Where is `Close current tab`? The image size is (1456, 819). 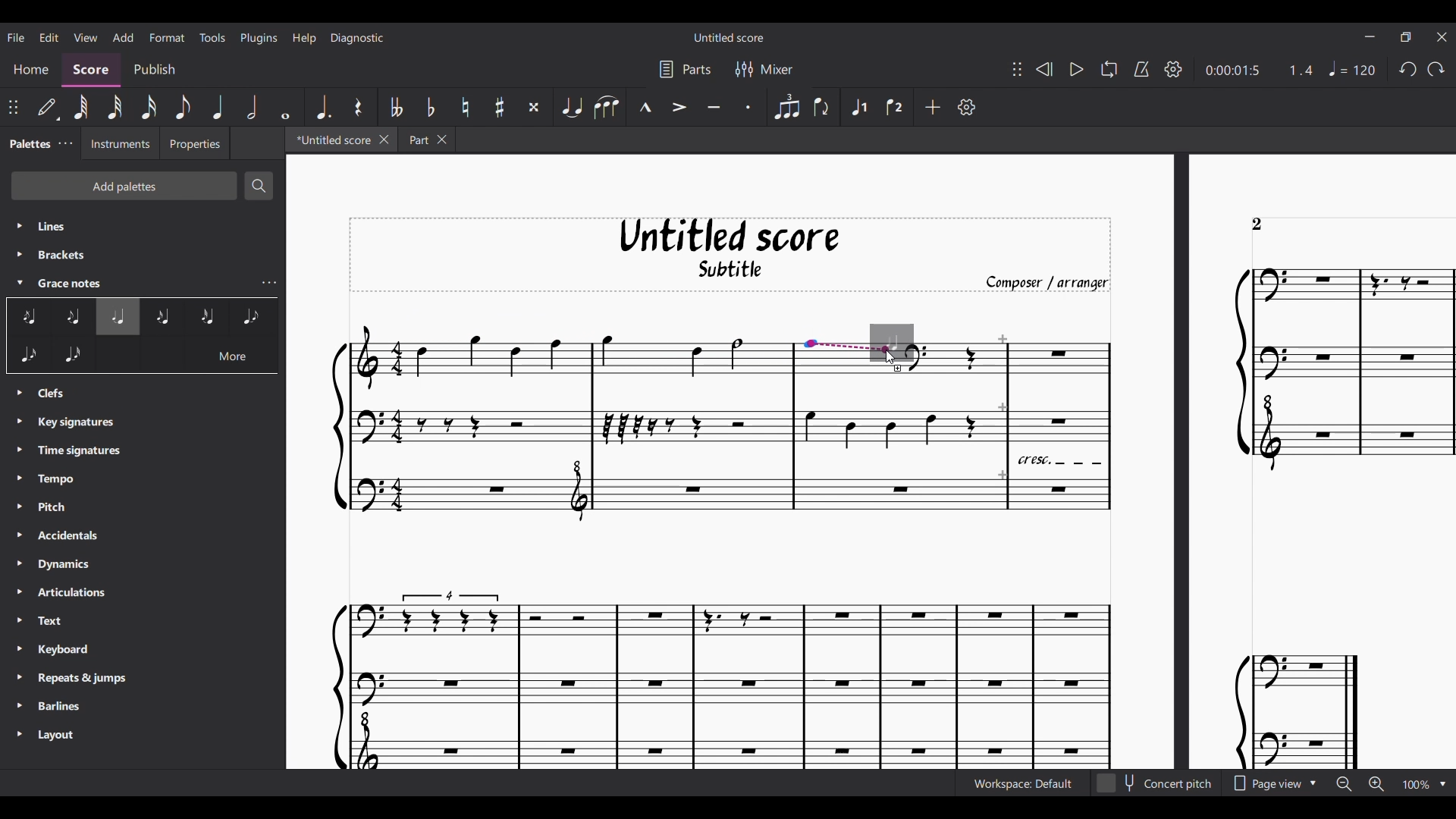
Close current tab is located at coordinates (383, 140).